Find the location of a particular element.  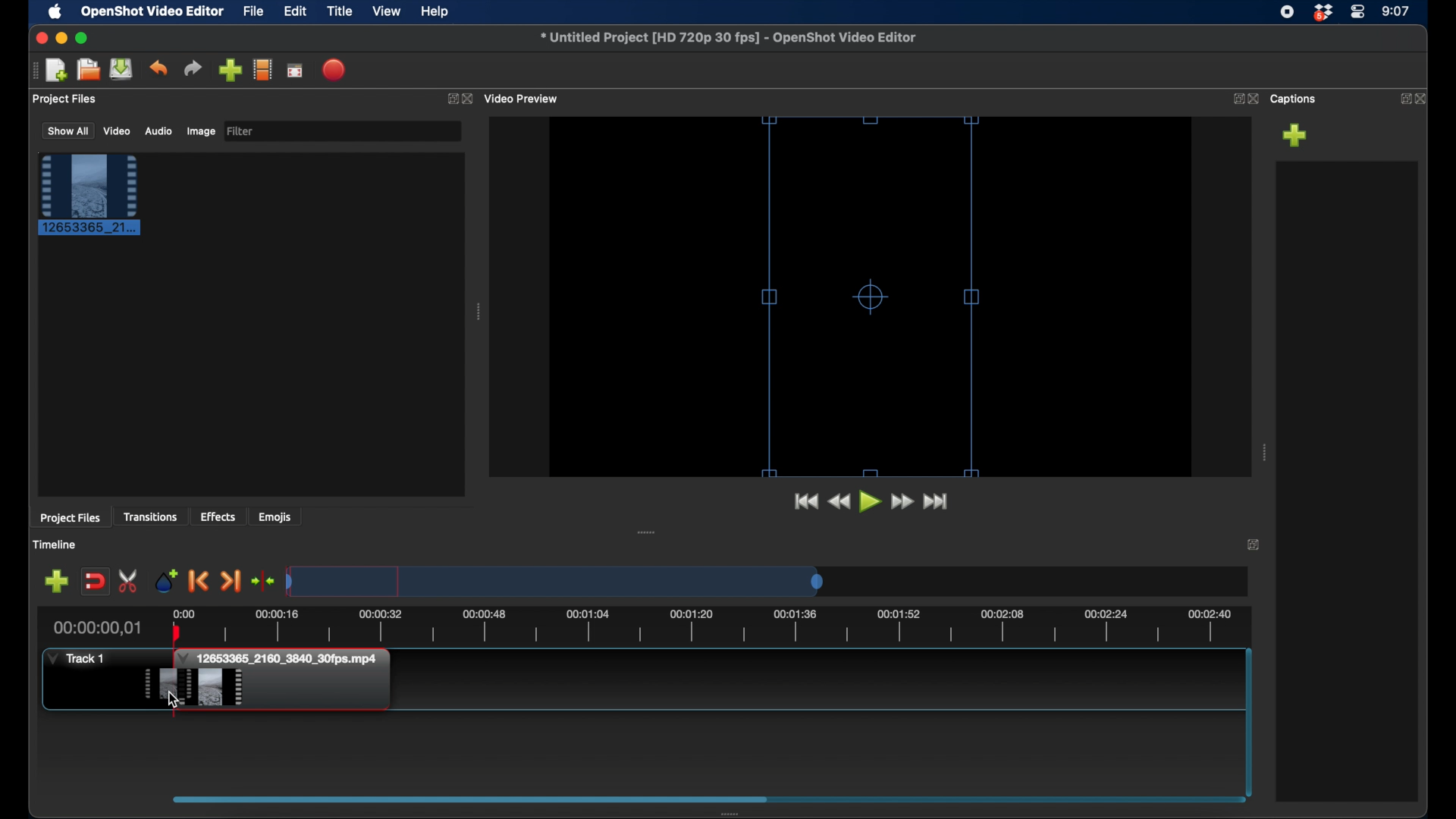

plahead is located at coordinates (171, 671).